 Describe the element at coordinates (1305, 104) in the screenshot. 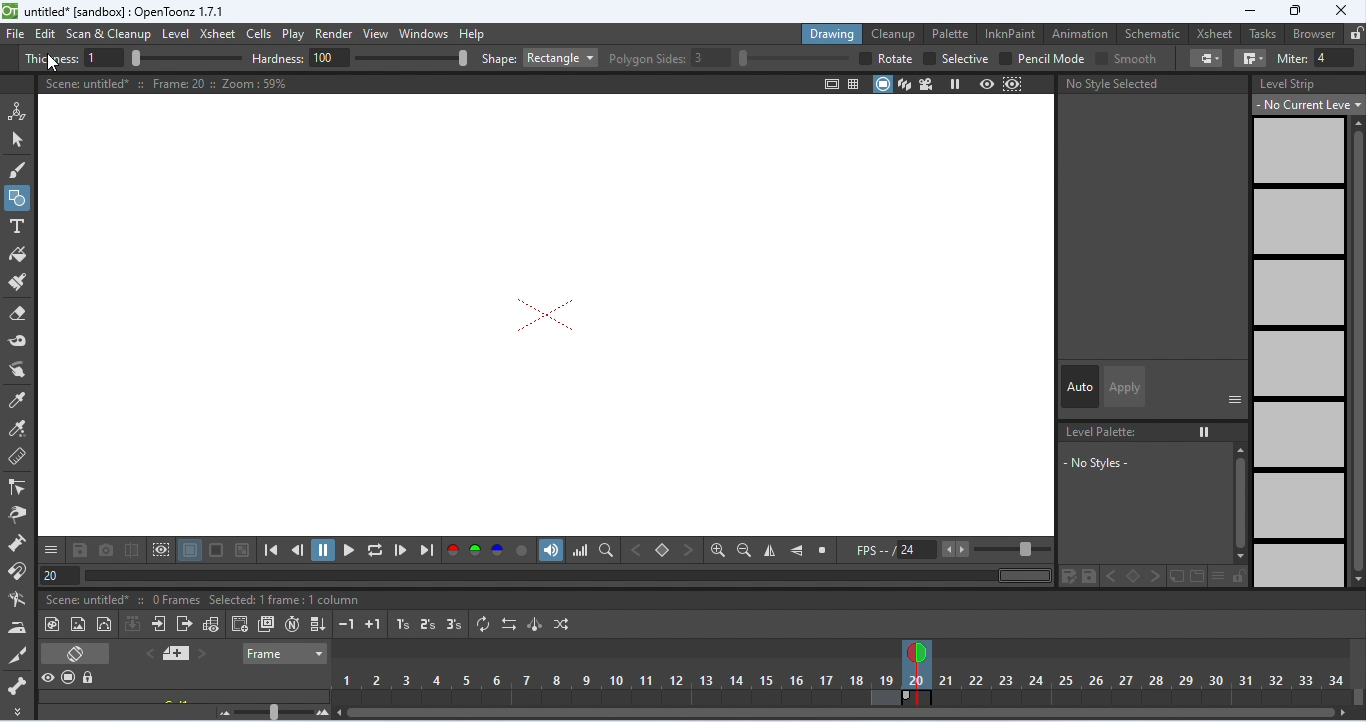

I see `no current level` at that location.